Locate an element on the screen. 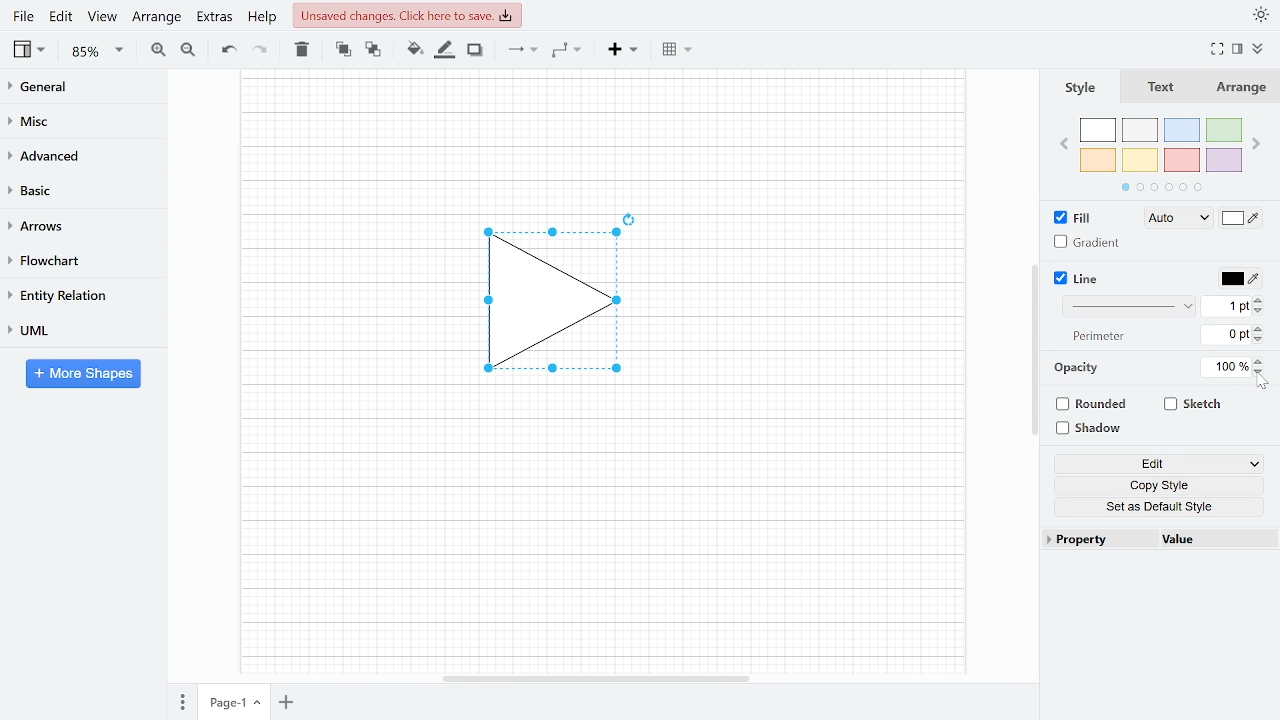 This screenshot has height=720, width=1280. pages in color section is located at coordinates (1159, 185).